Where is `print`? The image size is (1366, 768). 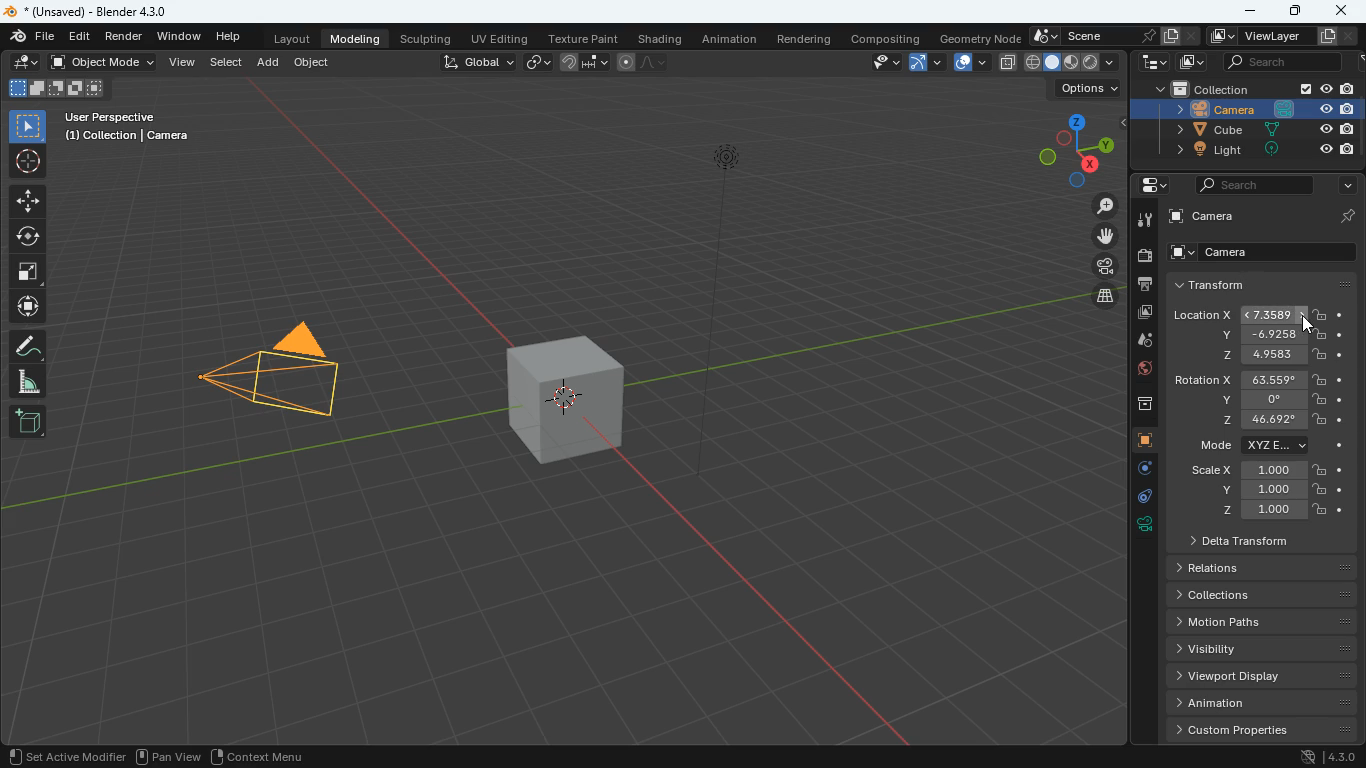 print is located at coordinates (1146, 286).